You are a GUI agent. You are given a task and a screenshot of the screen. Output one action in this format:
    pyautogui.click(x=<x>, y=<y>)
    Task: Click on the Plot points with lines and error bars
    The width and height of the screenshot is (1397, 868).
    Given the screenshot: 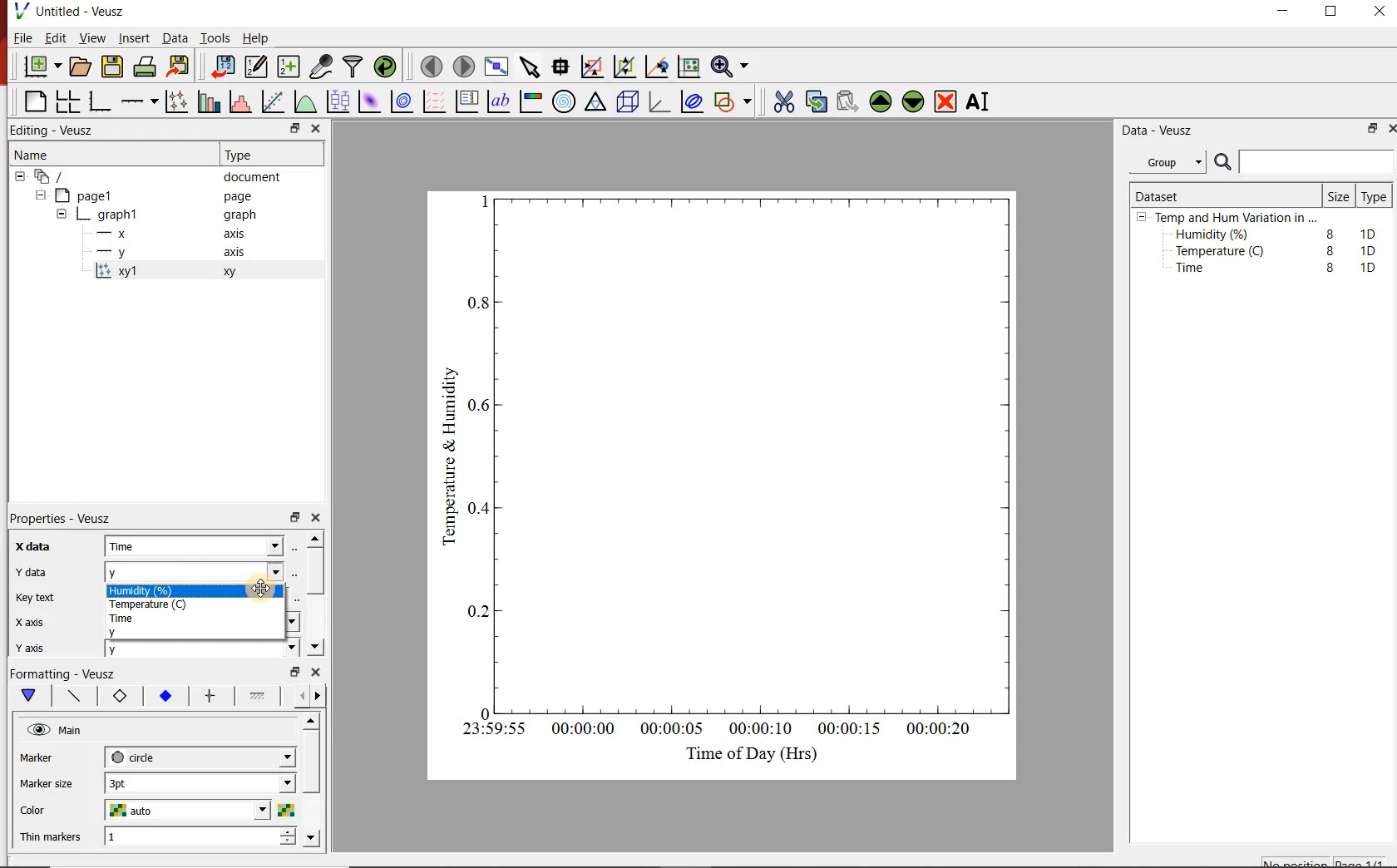 What is the action you would take?
    pyautogui.click(x=176, y=100)
    